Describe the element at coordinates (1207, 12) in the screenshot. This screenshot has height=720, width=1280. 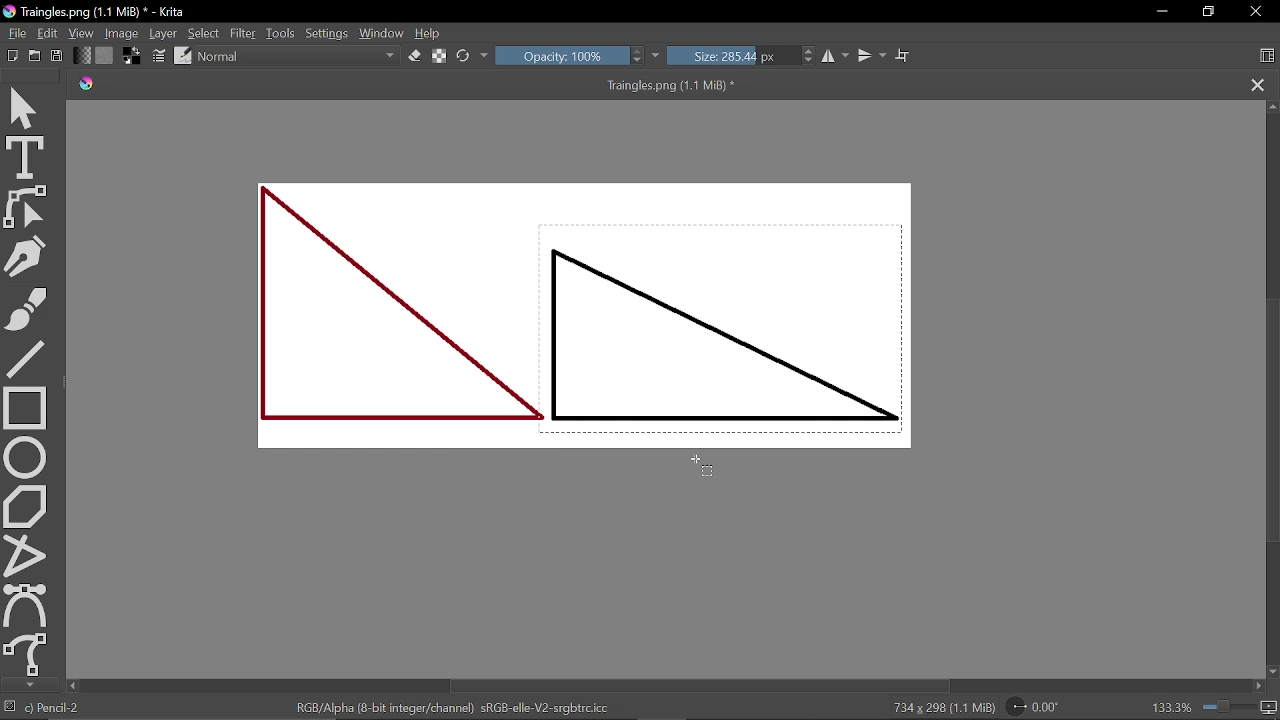
I see `Restore down` at that location.